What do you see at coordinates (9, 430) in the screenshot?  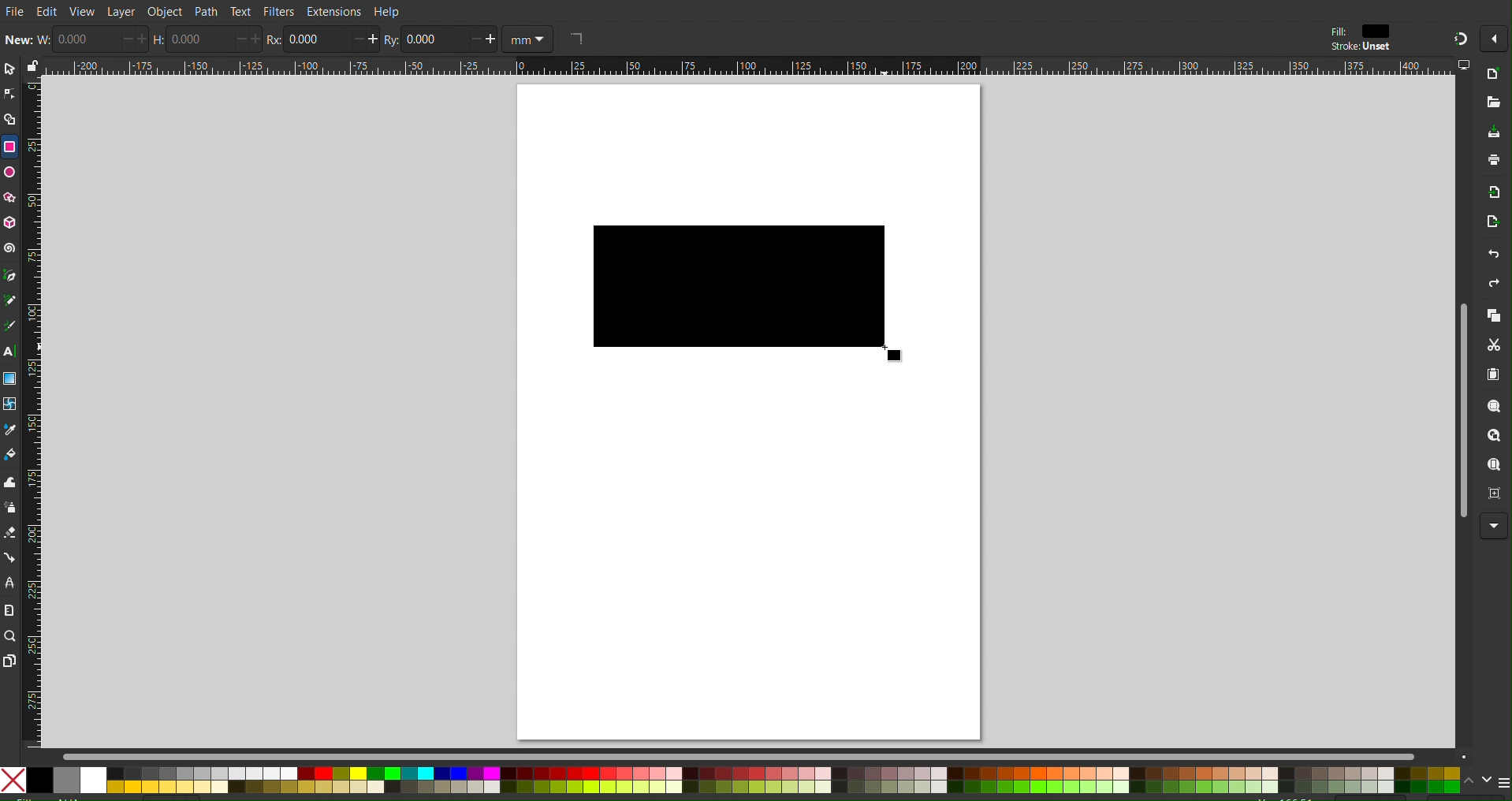 I see `Line Color` at bounding box center [9, 430].